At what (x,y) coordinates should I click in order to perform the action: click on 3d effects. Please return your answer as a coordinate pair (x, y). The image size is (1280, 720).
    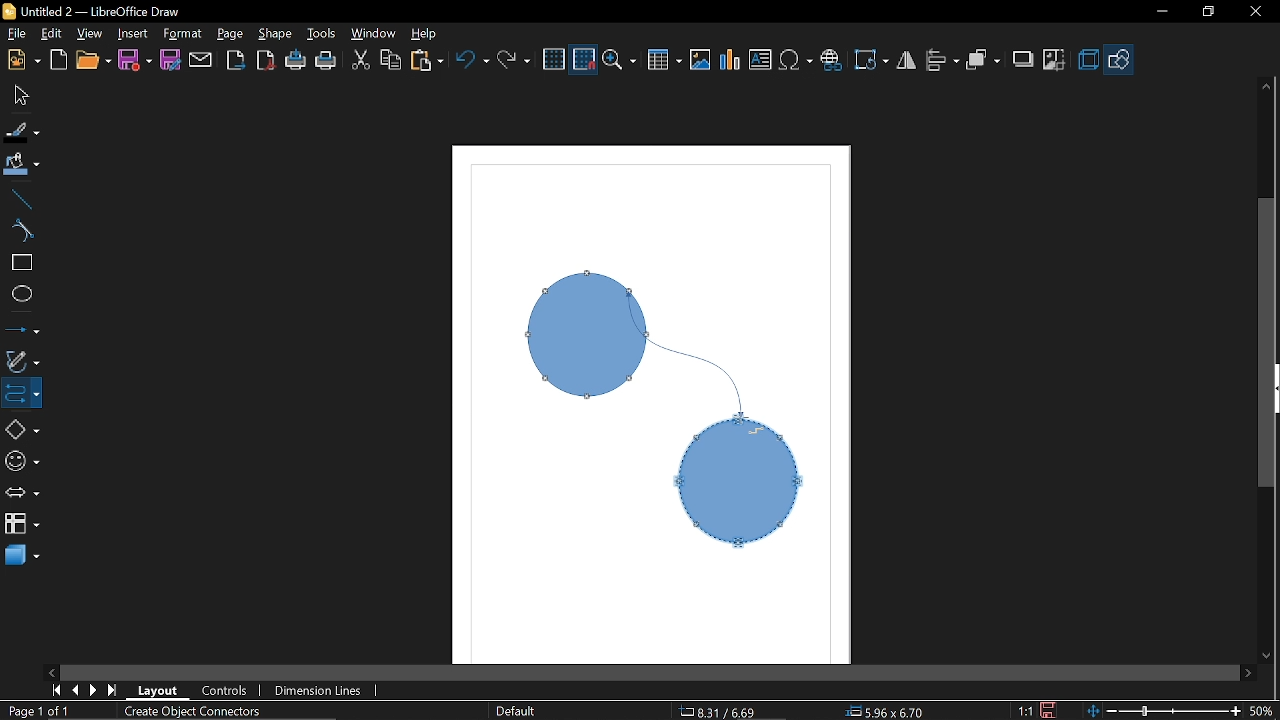
    Looking at the image, I should click on (1090, 60).